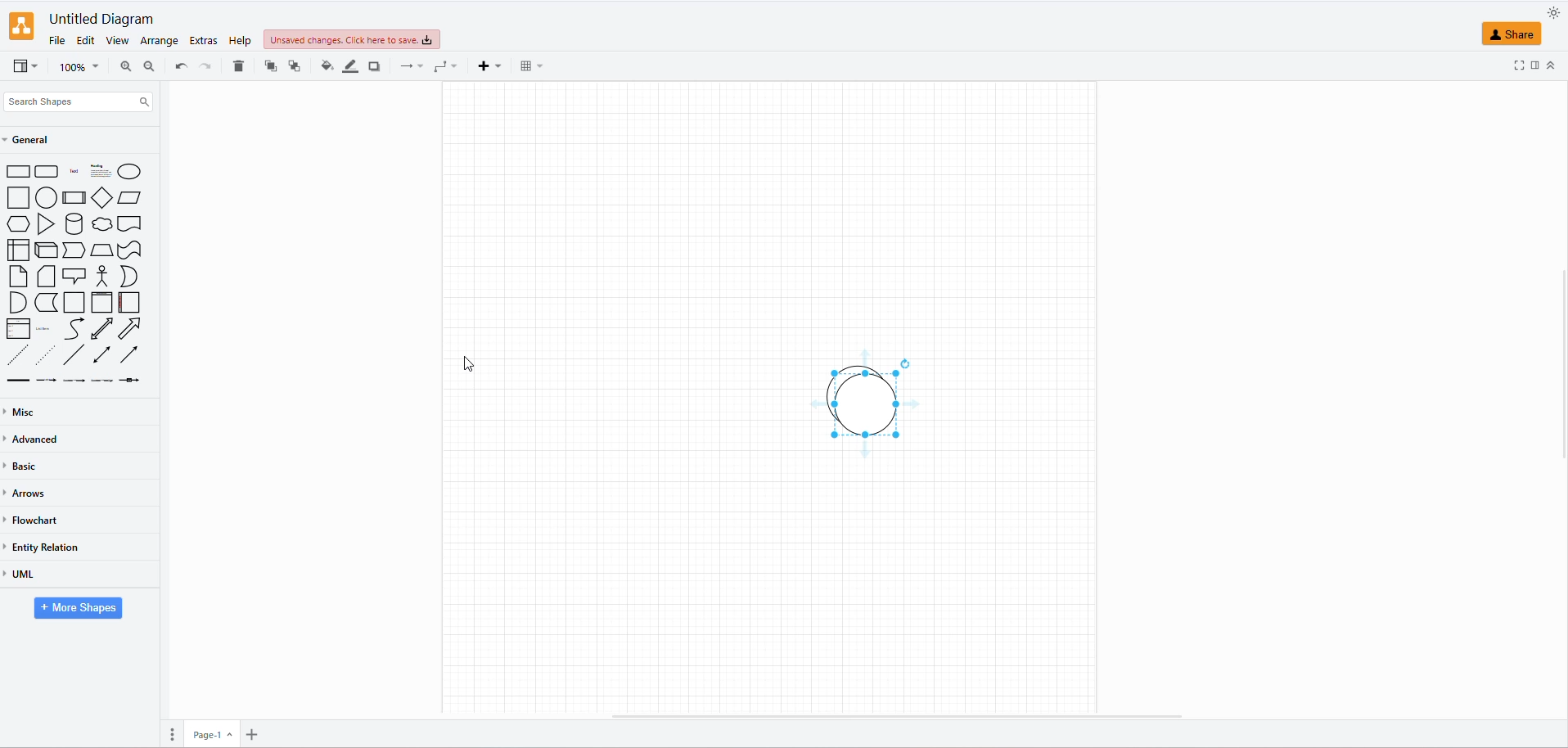 The image size is (1568, 748). Describe the element at coordinates (34, 519) in the screenshot. I see `FLOWCHART` at that location.